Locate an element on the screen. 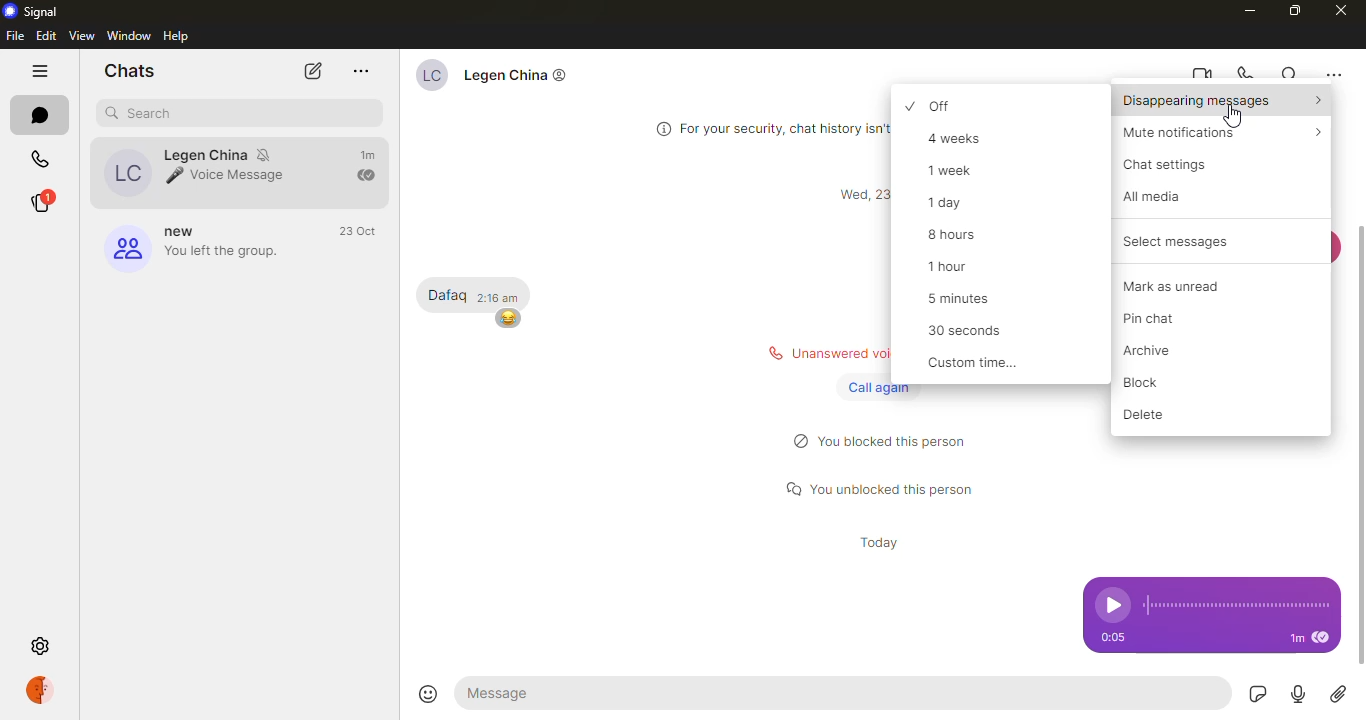 The height and width of the screenshot is (720, 1366). message is located at coordinates (447, 296).